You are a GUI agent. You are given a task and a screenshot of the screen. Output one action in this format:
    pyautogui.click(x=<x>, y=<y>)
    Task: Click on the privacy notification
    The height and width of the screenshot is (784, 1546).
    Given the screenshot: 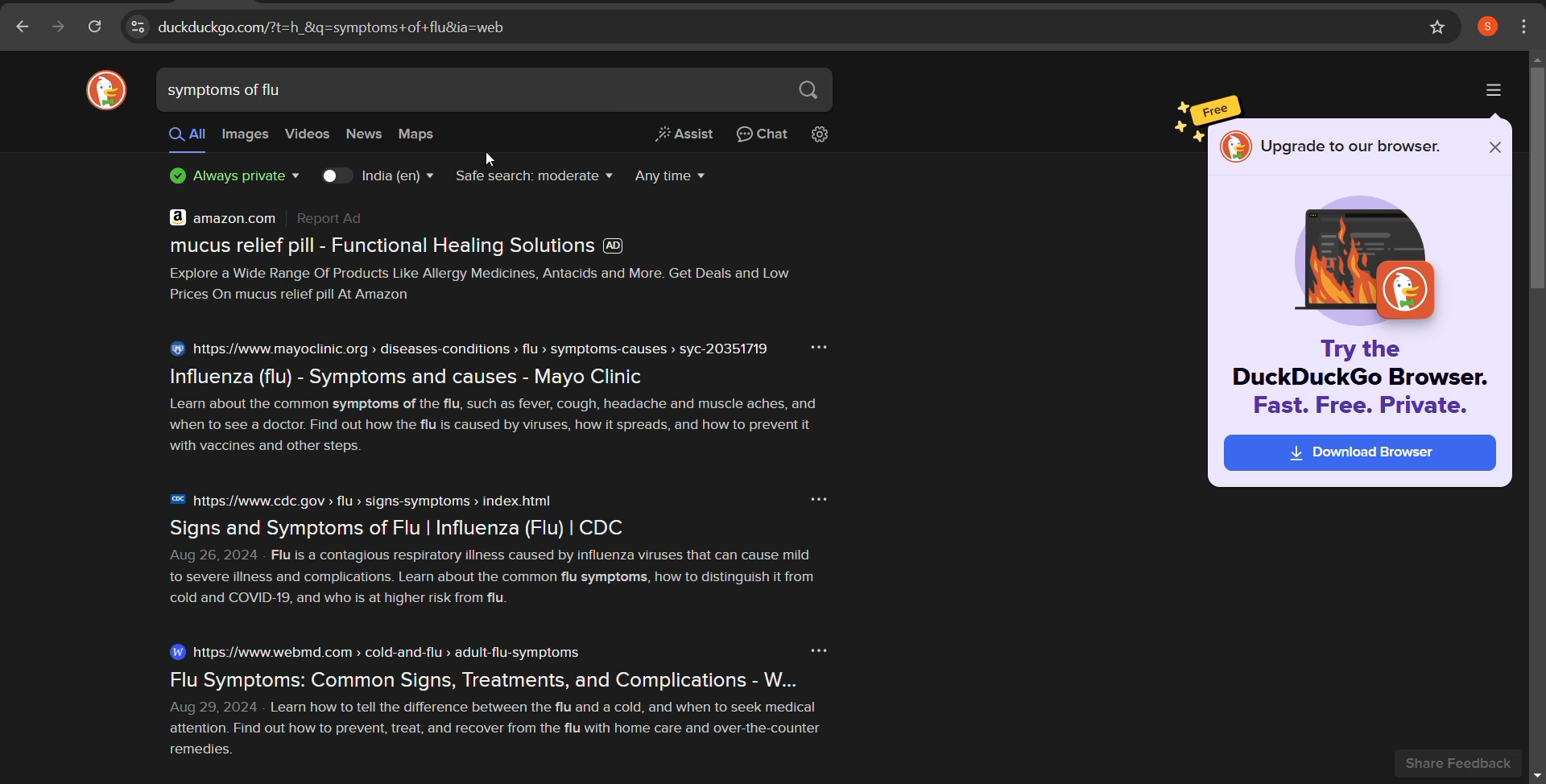 What is the action you would take?
    pyautogui.click(x=230, y=179)
    